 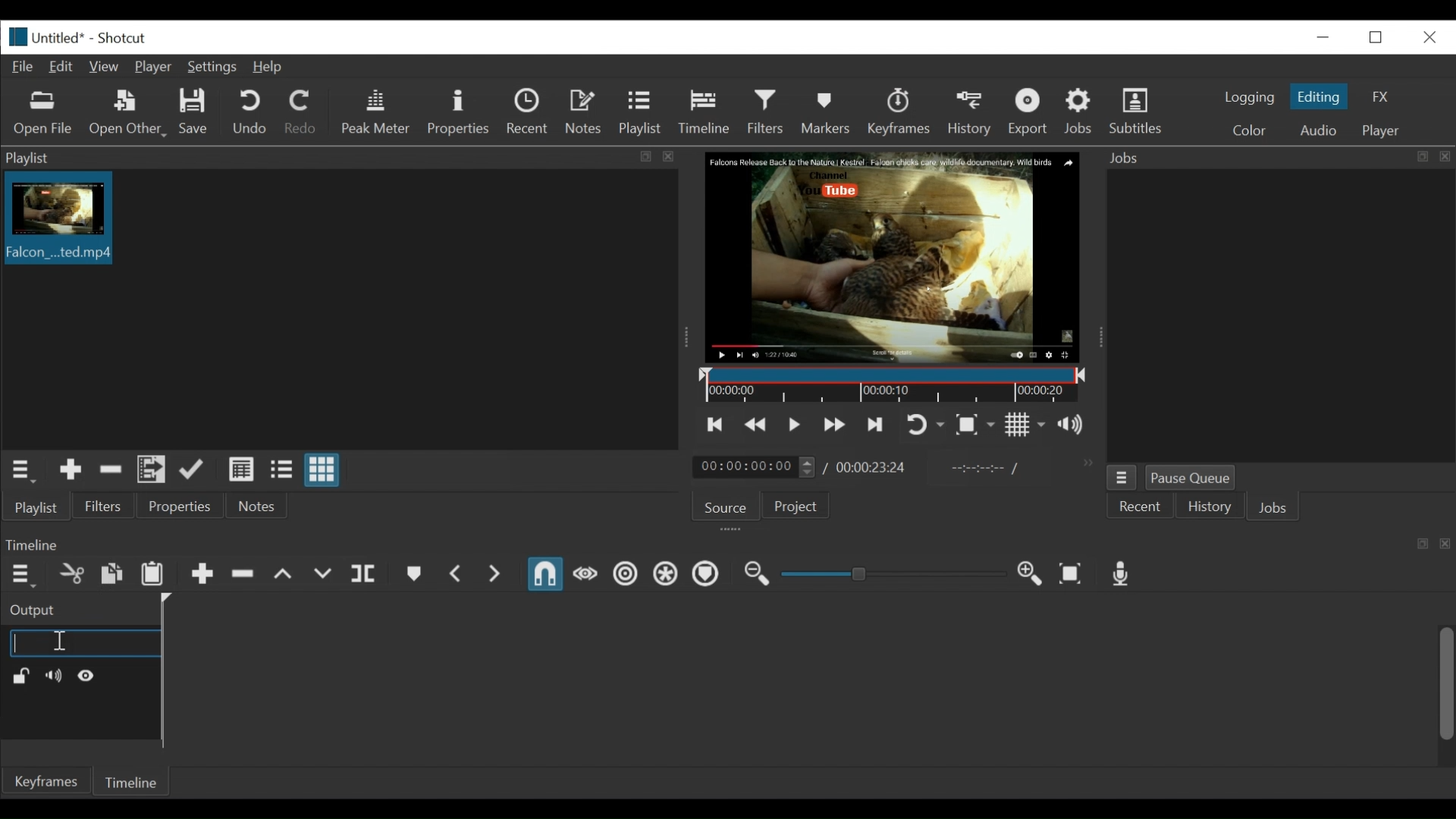 What do you see at coordinates (111, 470) in the screenshot?
I see `Remove cut` at bounding box center [111, 470].